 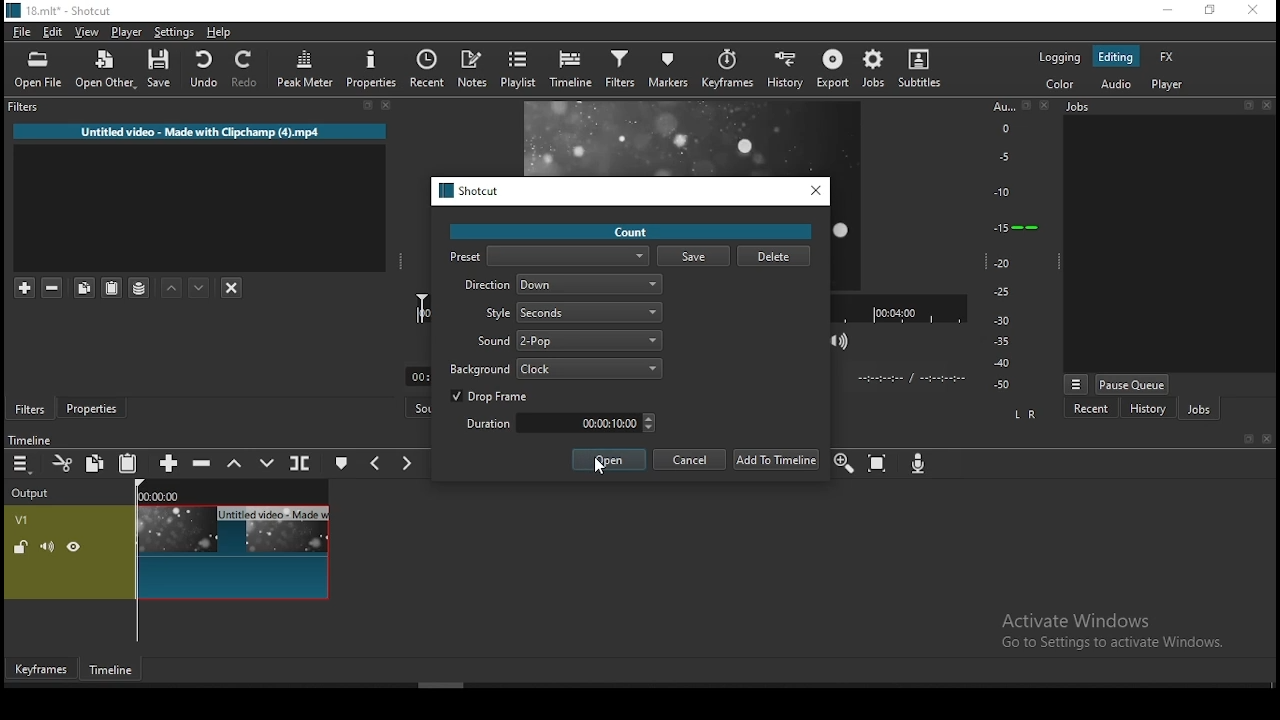 I want to click on Time format, so click(x=911, y=377).